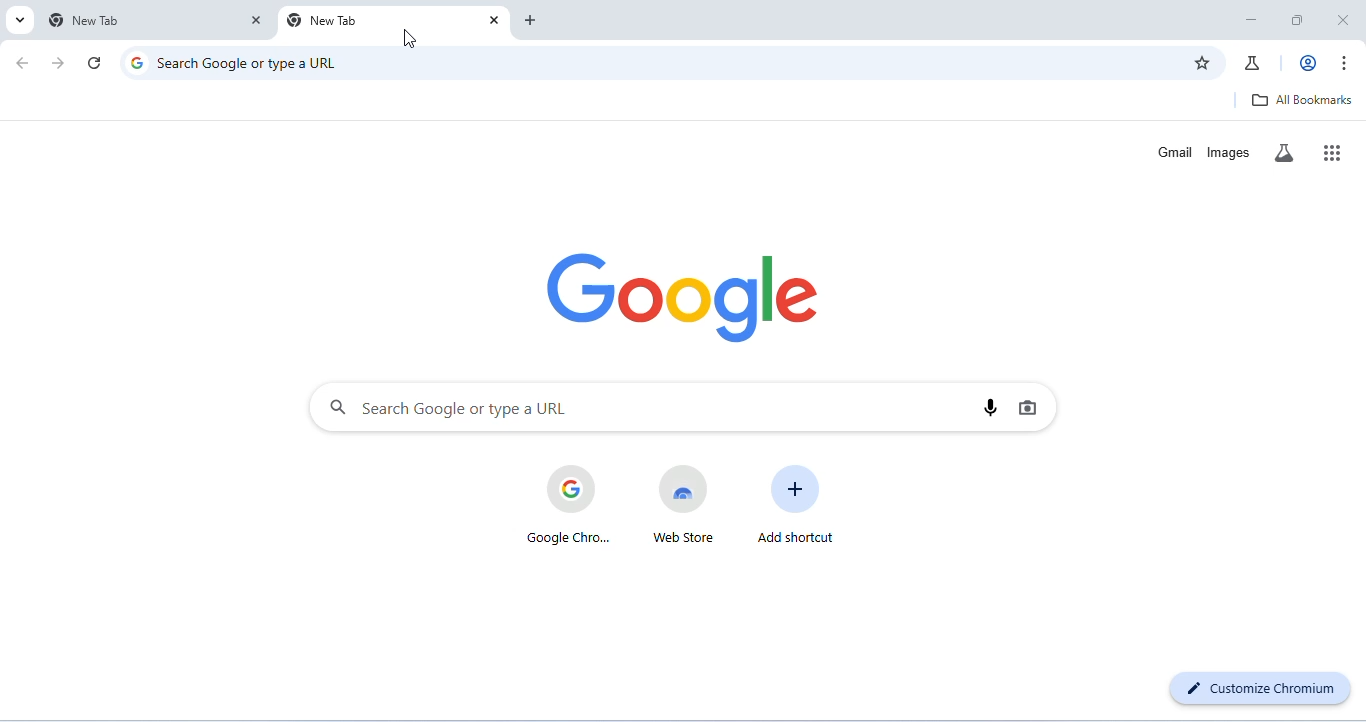  Describe the element at coordinates (448, 407) in the screenshot. I see `search google or type a URL` at that location.